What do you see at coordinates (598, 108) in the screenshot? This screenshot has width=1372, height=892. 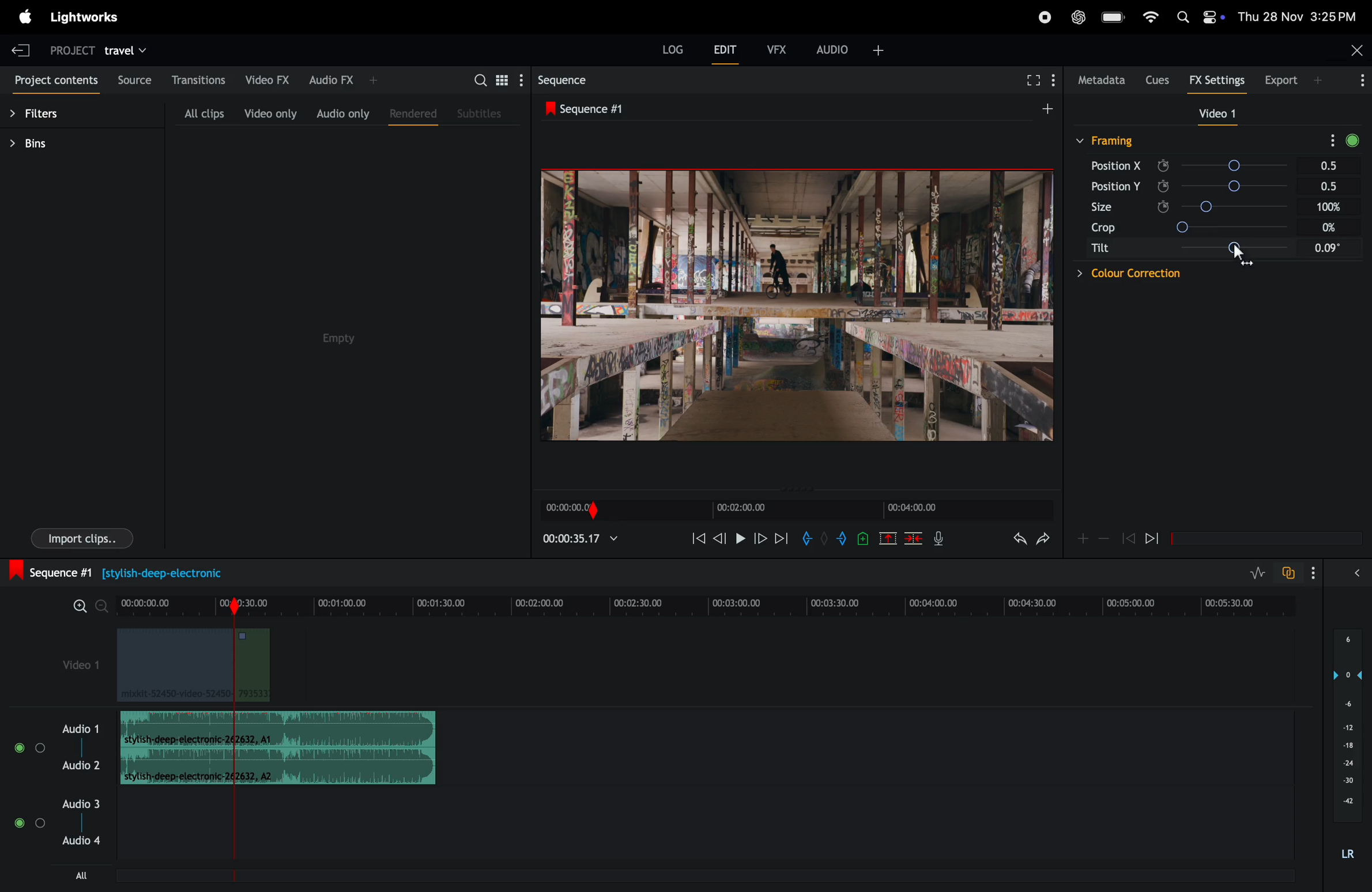 I see `sequence 1` at bounding box center [598, 108].